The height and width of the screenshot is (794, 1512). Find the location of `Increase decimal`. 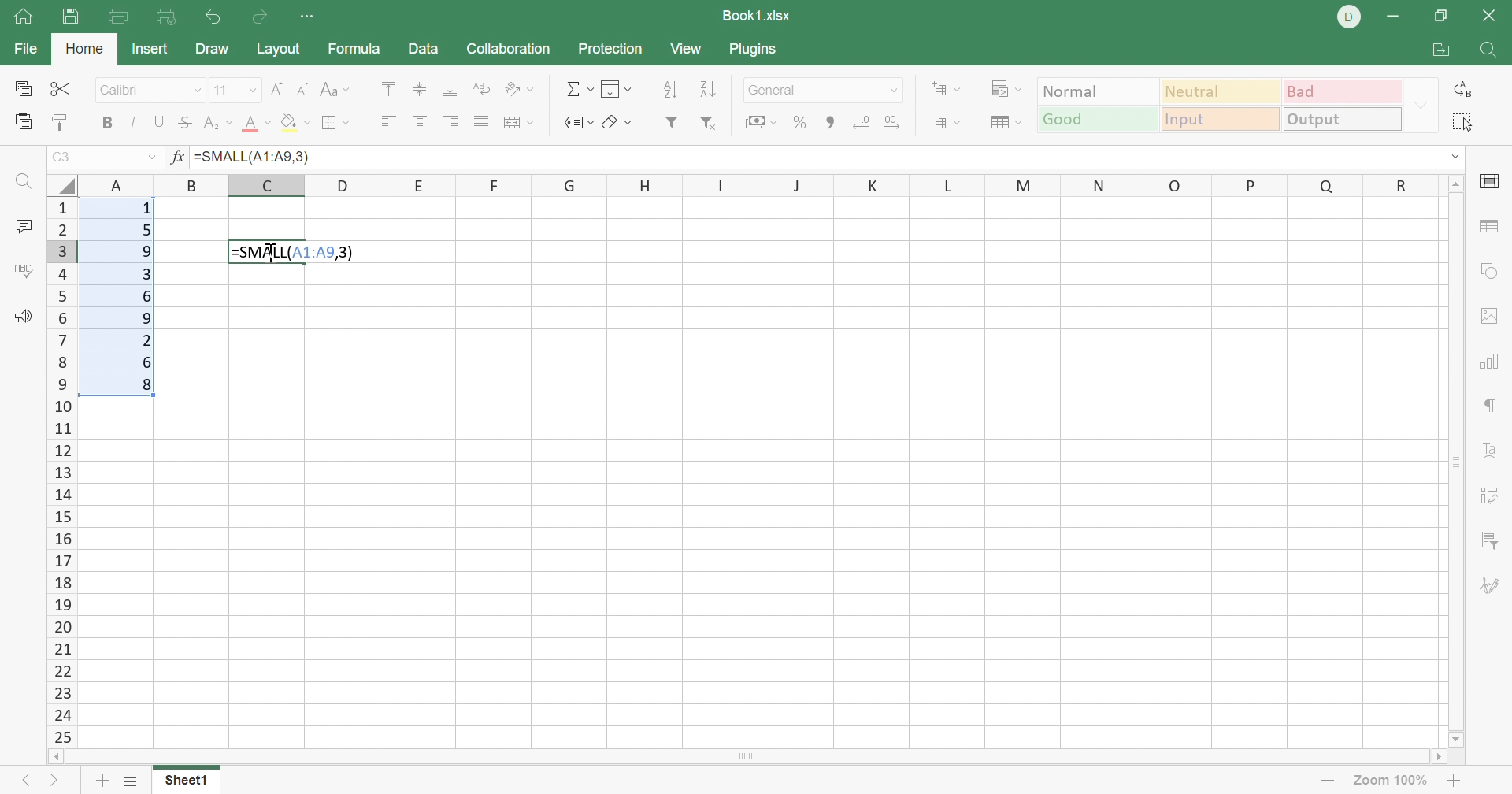

Increase decimal is located at coordinates (891, 122).